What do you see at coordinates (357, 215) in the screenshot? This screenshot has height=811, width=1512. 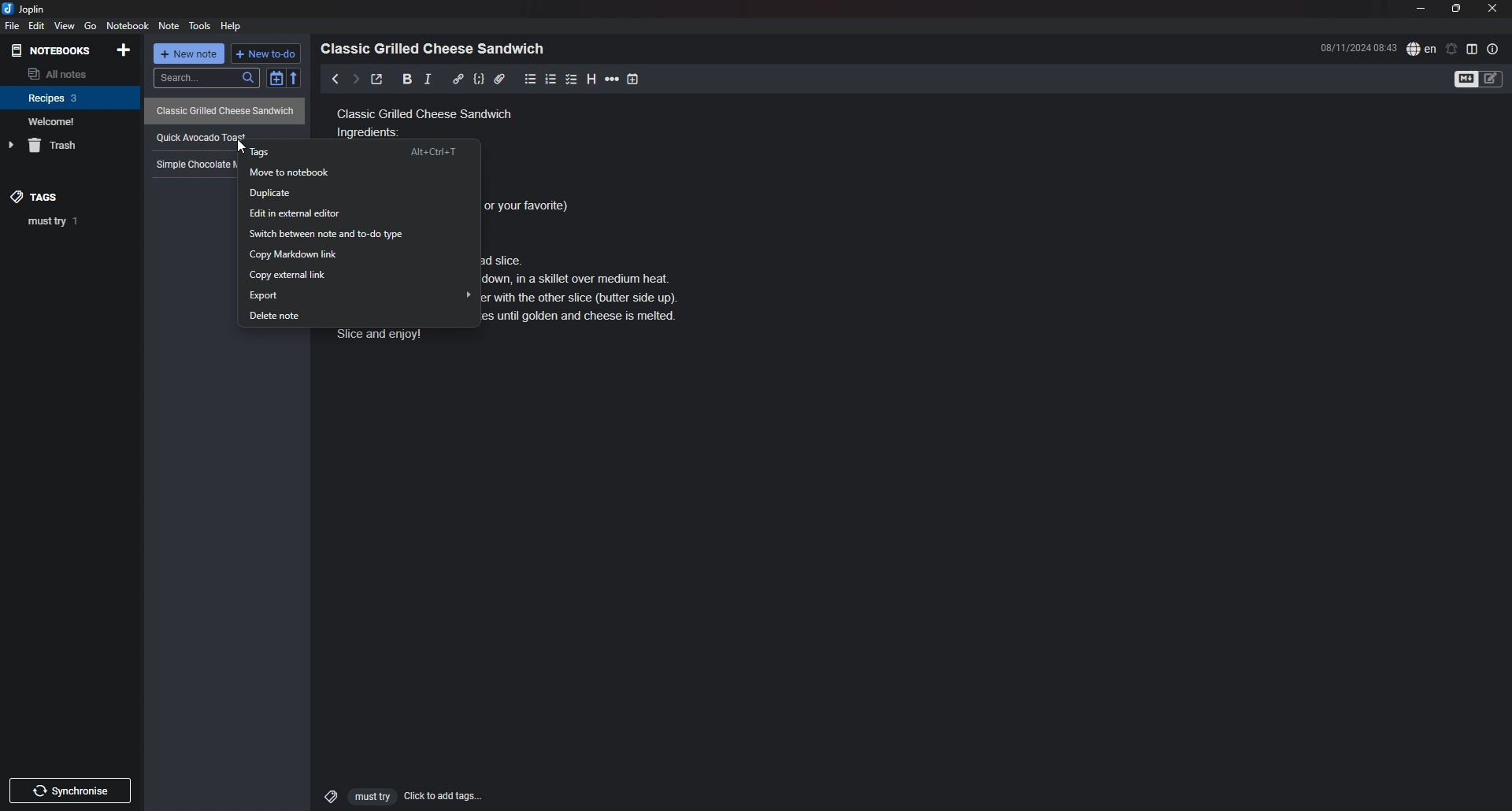 I see `edit in external editor` at bounding box center [357, 215].